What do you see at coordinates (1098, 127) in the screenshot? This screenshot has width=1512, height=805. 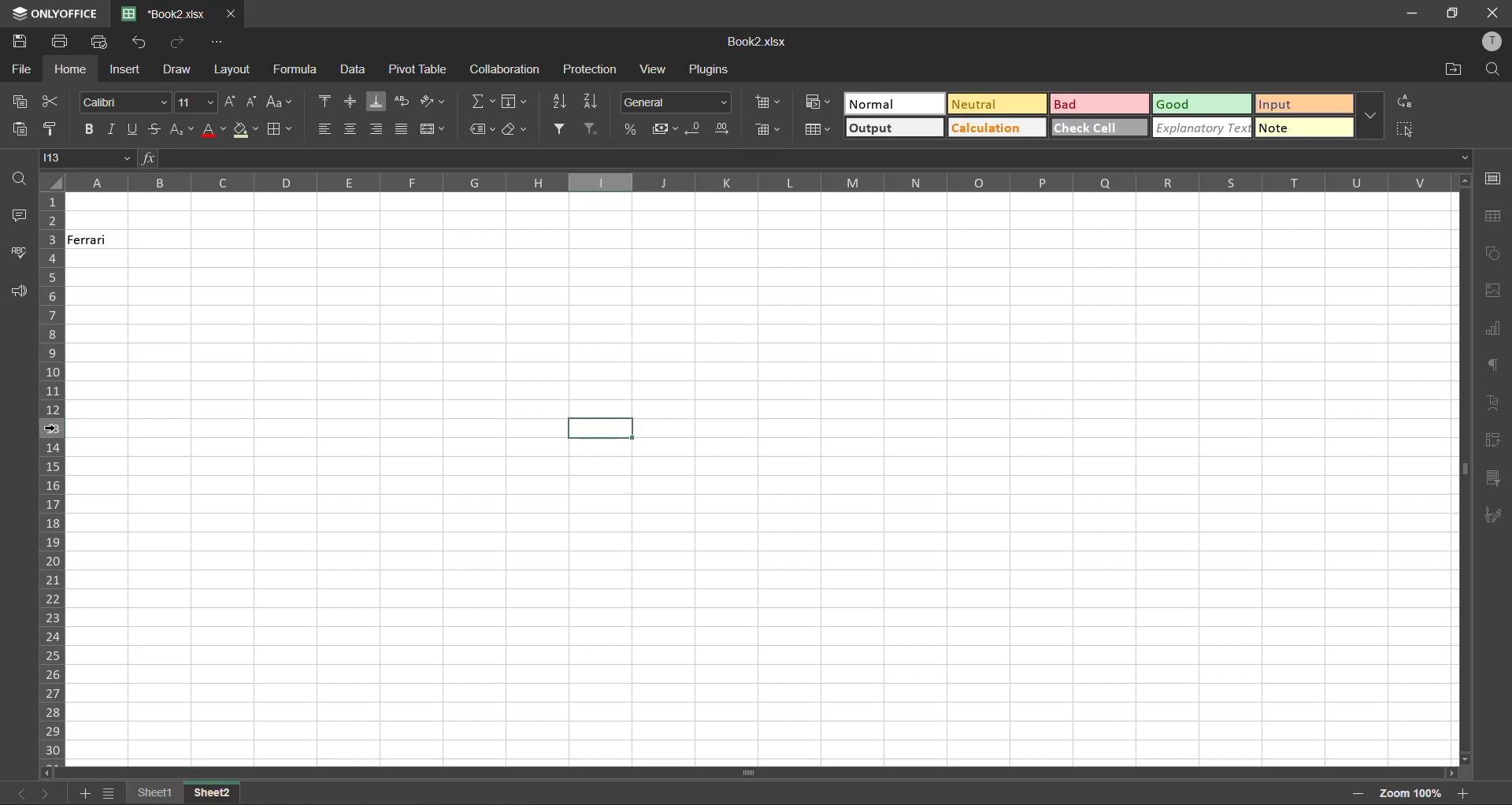 I see `check cell` at bounding box center [1098, 127].